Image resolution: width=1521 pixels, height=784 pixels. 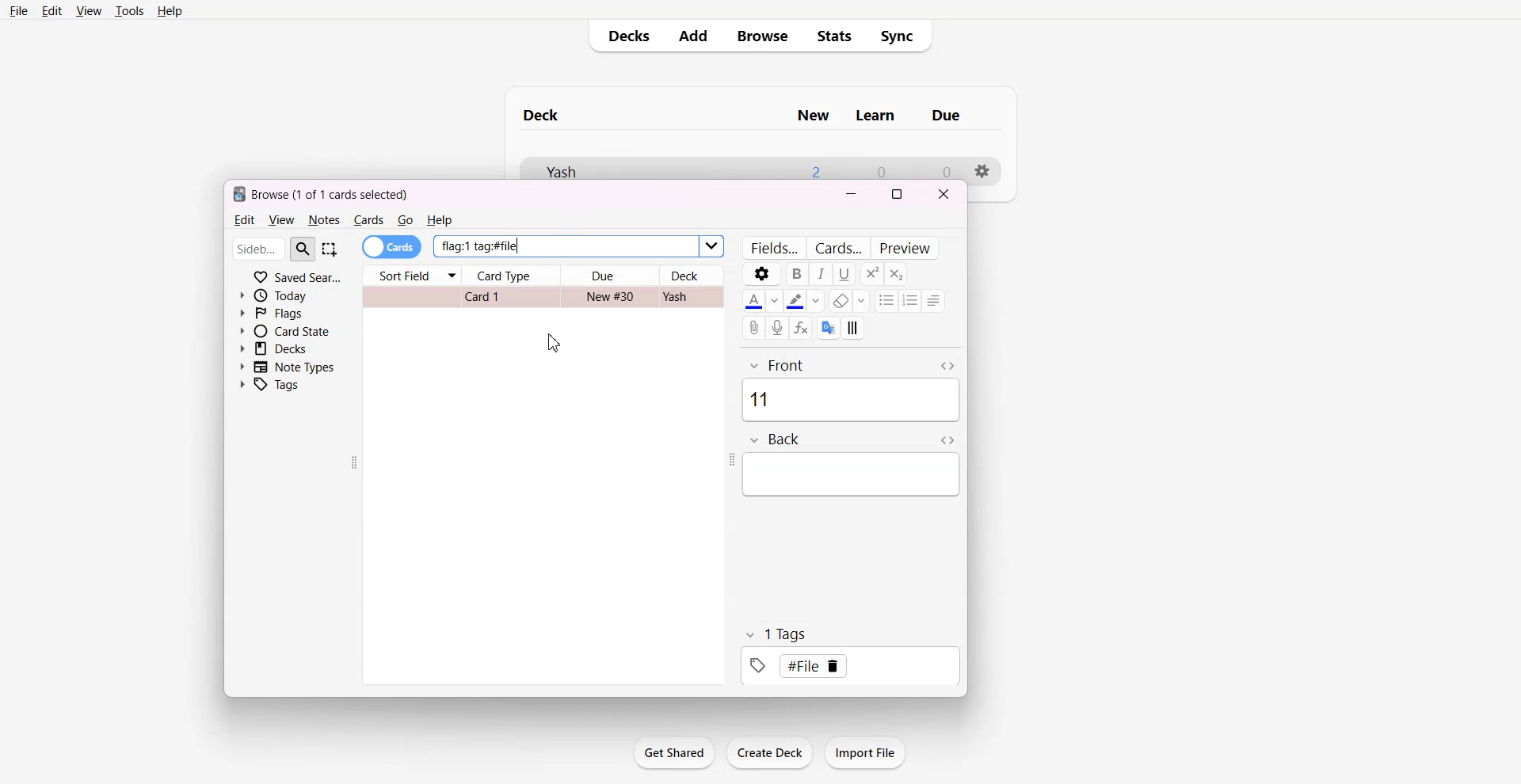 What do you see at coordinates (909, 301) in the screenshot?
I see `Ordered List ` at bounding box center [909, 301].